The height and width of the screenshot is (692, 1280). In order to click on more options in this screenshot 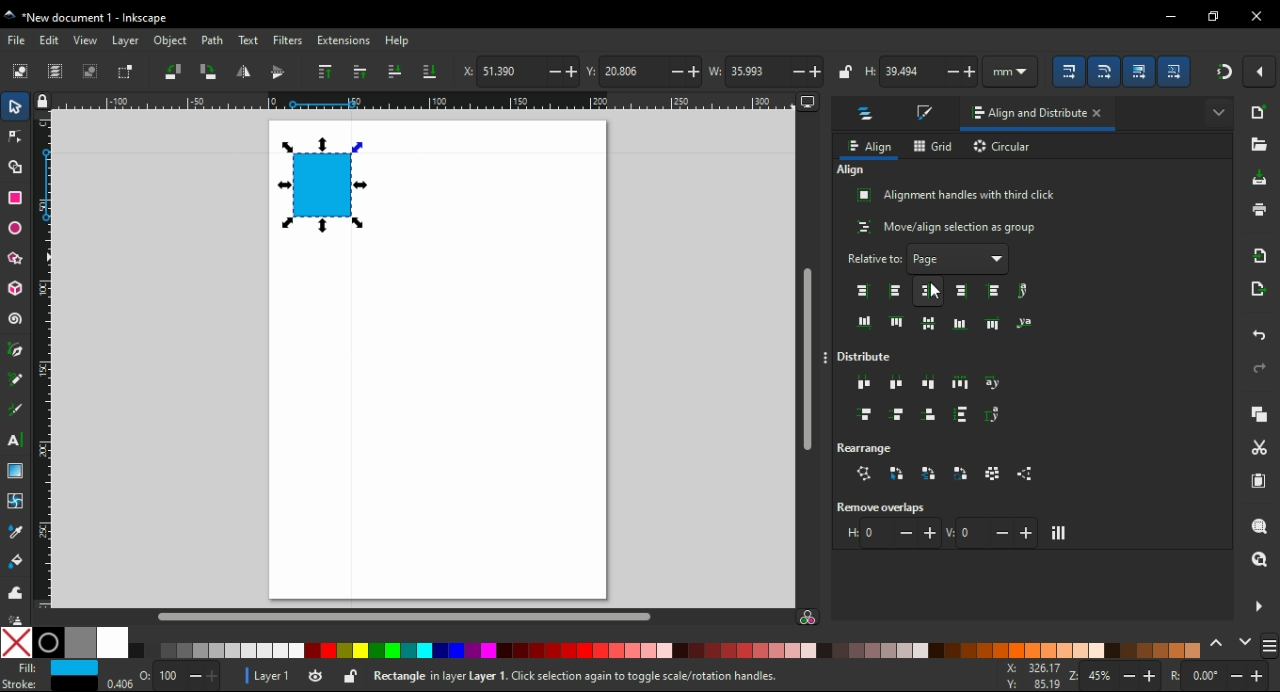, I will do `click(1258, 605)`.